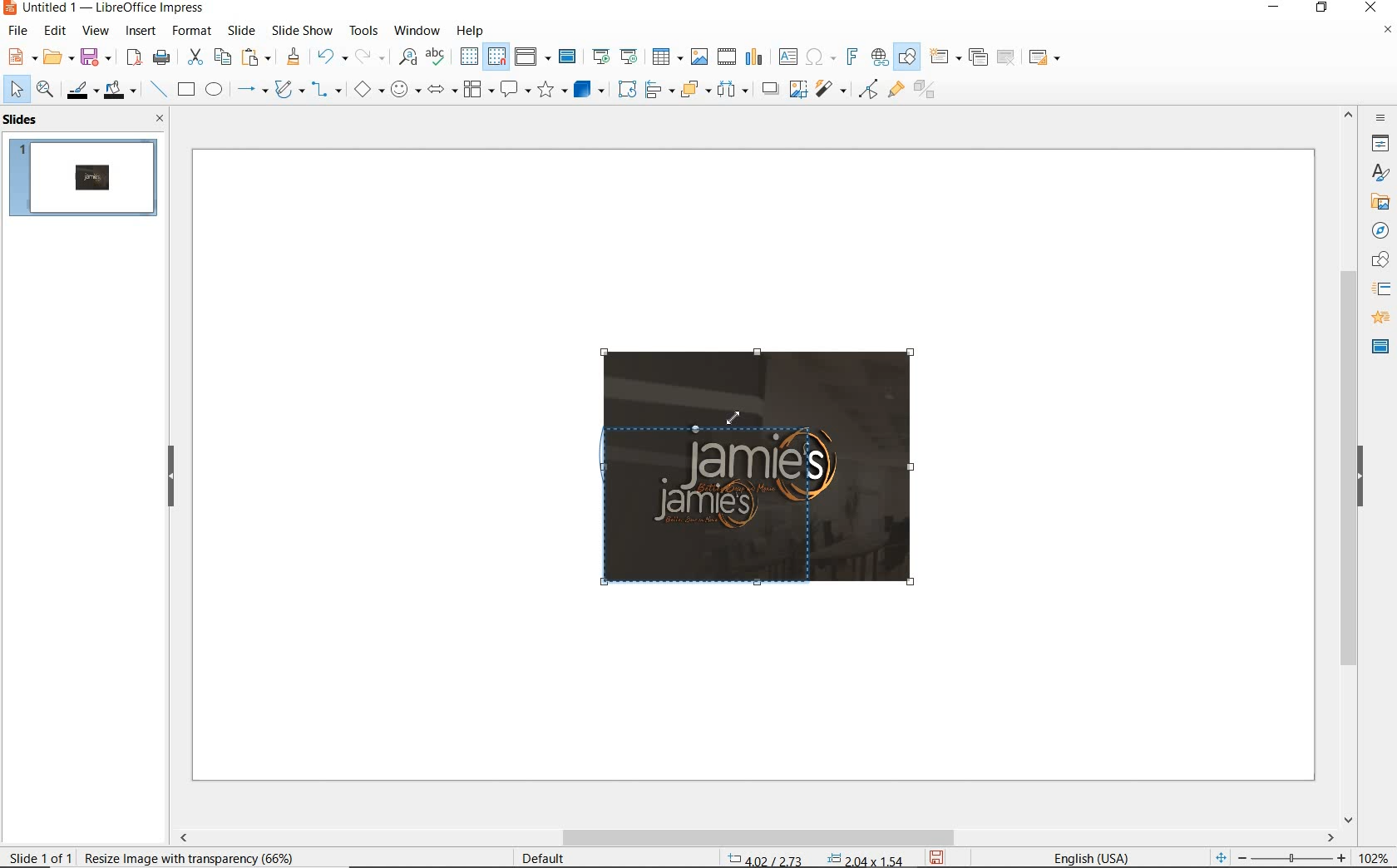  What do you see at coordinates (850, 57) in the screenshot?
I see `insert fontwork text` at bounding box center [850, 57].